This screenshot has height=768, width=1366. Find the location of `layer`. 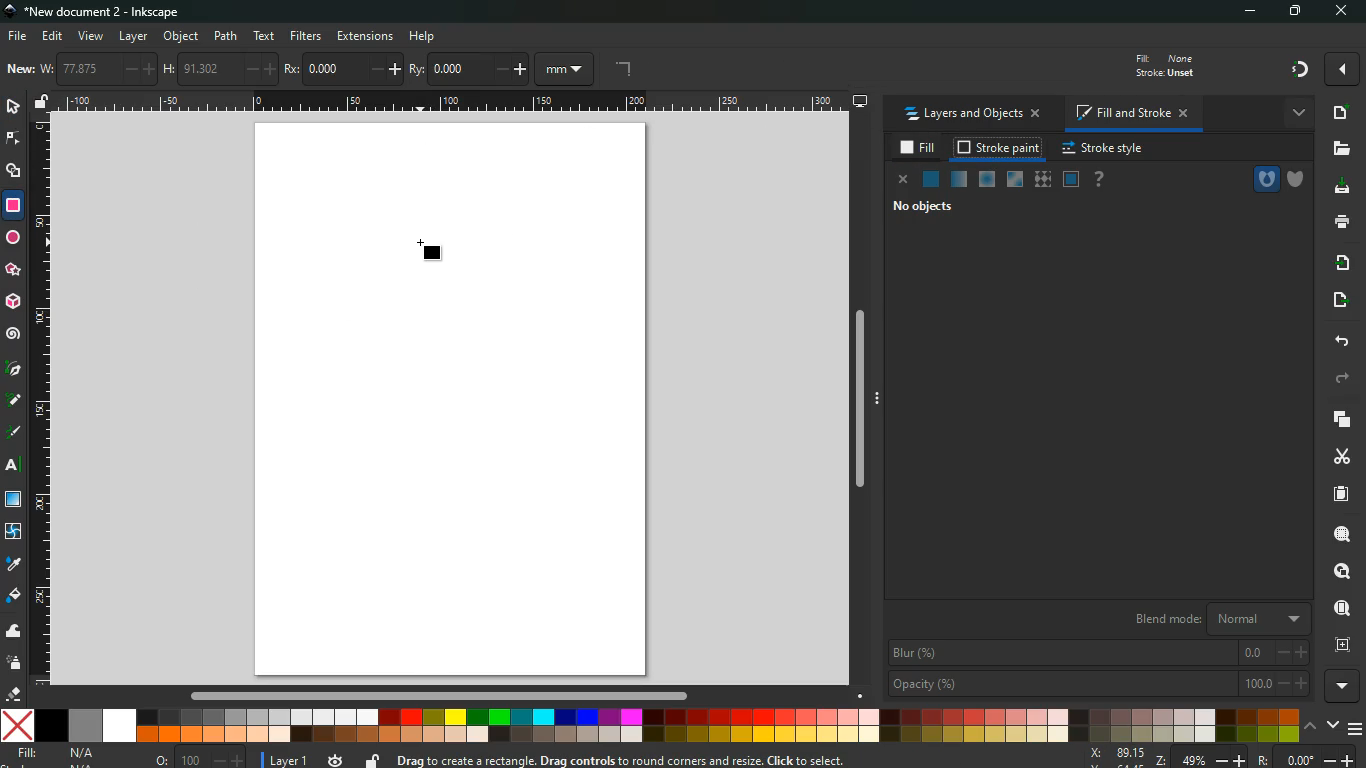

layer is located at coordinates (286, 759).